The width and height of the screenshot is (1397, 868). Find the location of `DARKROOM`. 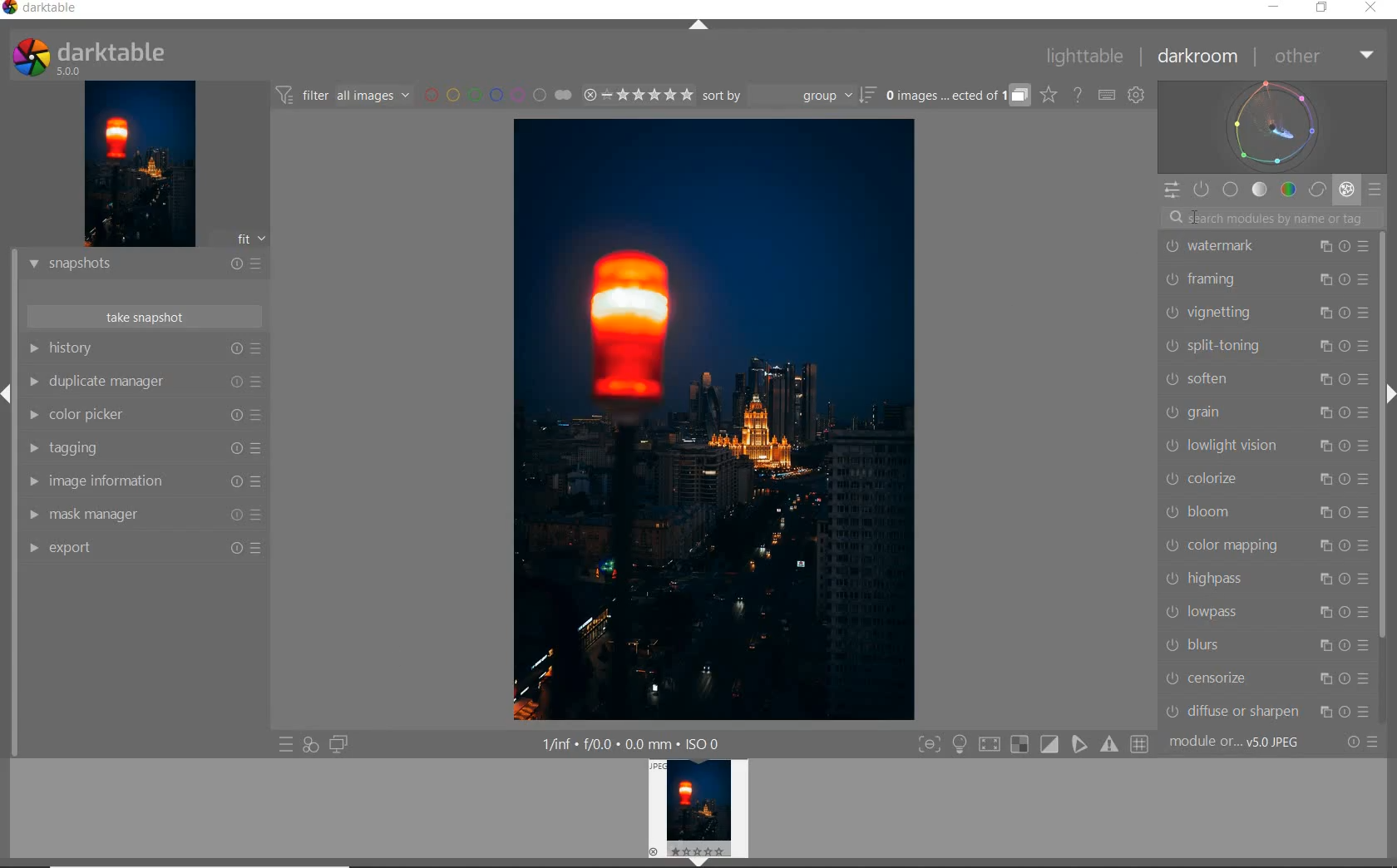

DARKROOM is located at coordinates (1201, 57).